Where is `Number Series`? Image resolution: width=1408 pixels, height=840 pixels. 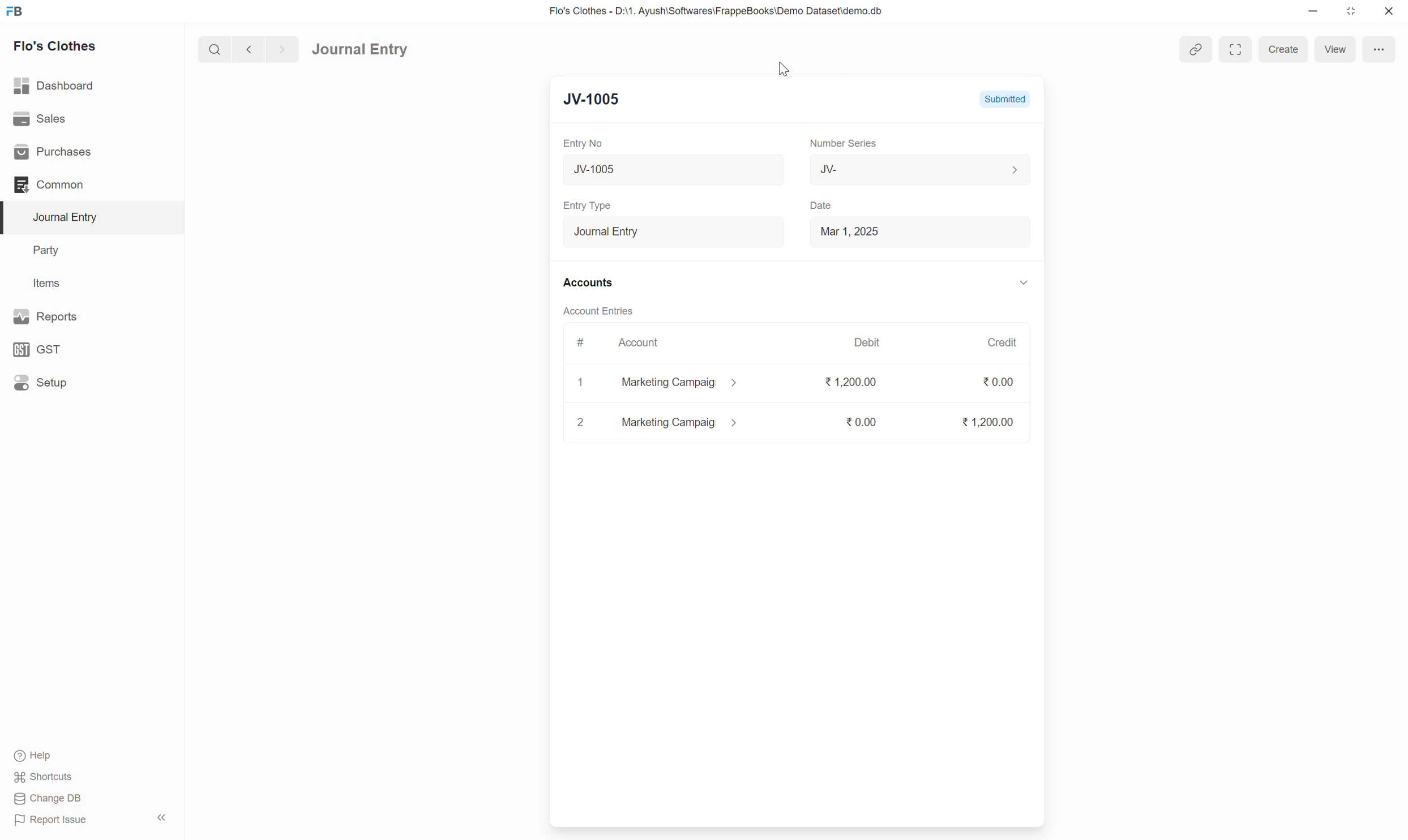 Number Series is located at coordinates (844, 142).